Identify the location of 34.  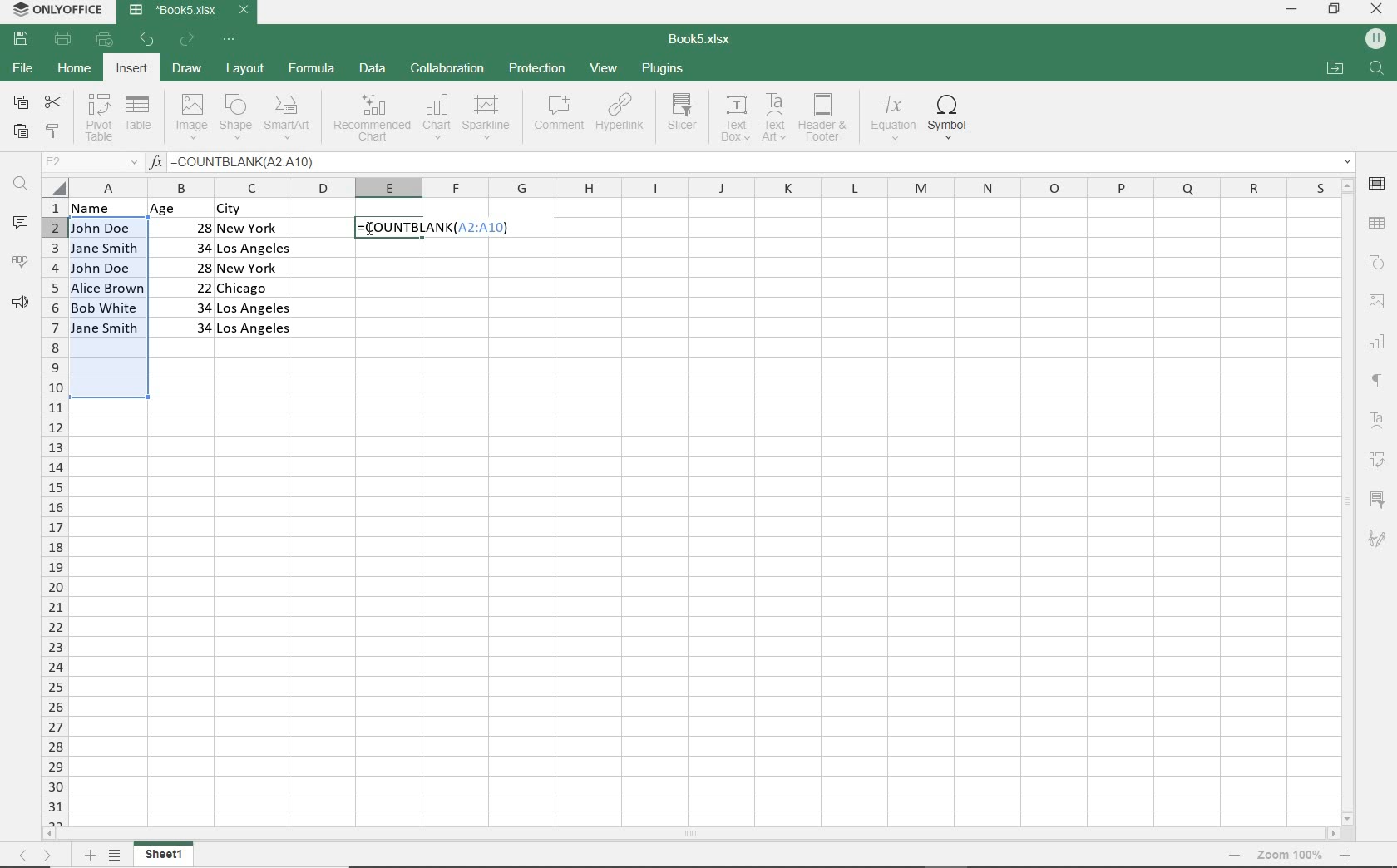
(197, 328).